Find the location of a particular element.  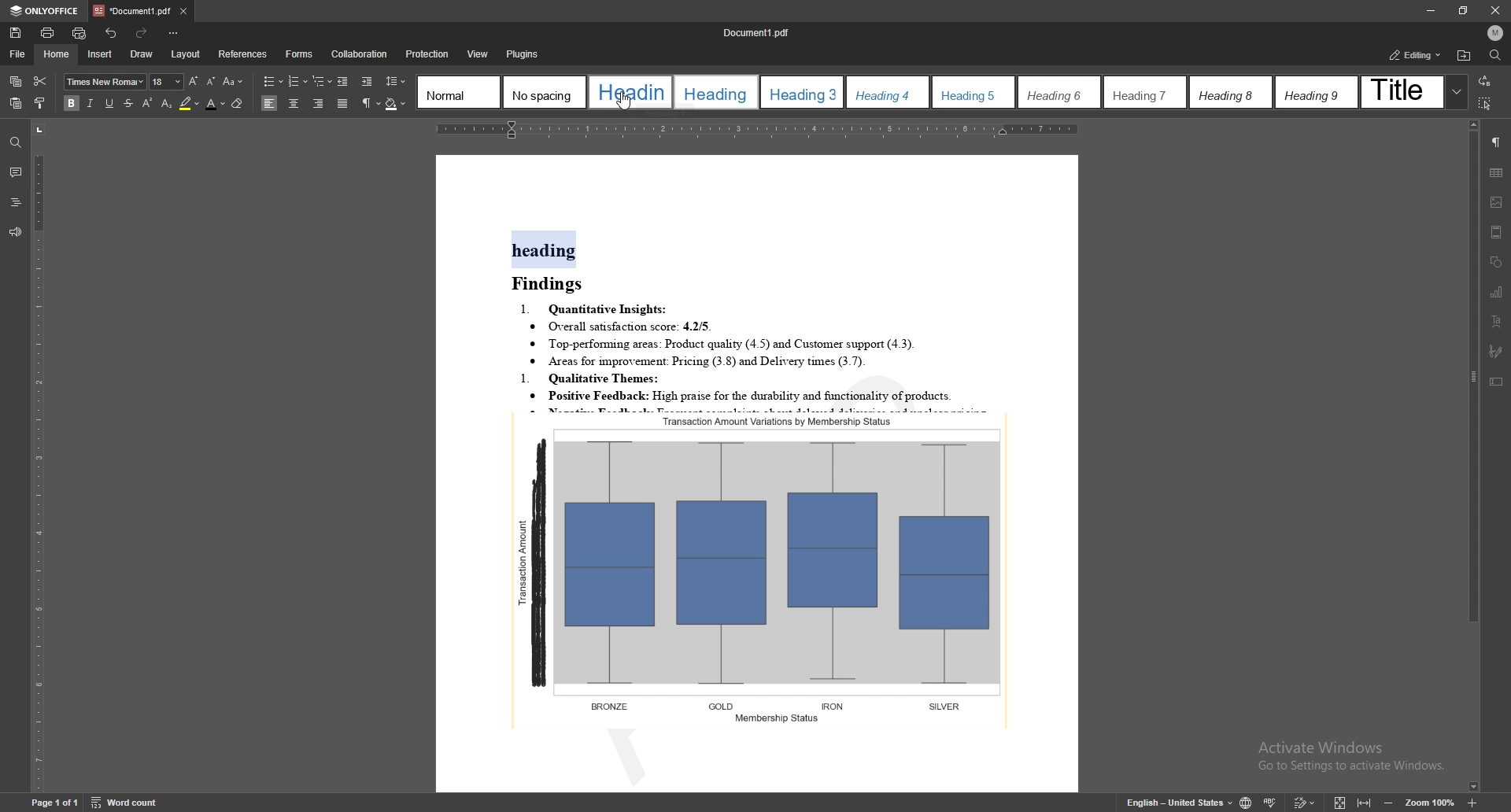

numbering is located at coordinates (298, 81).